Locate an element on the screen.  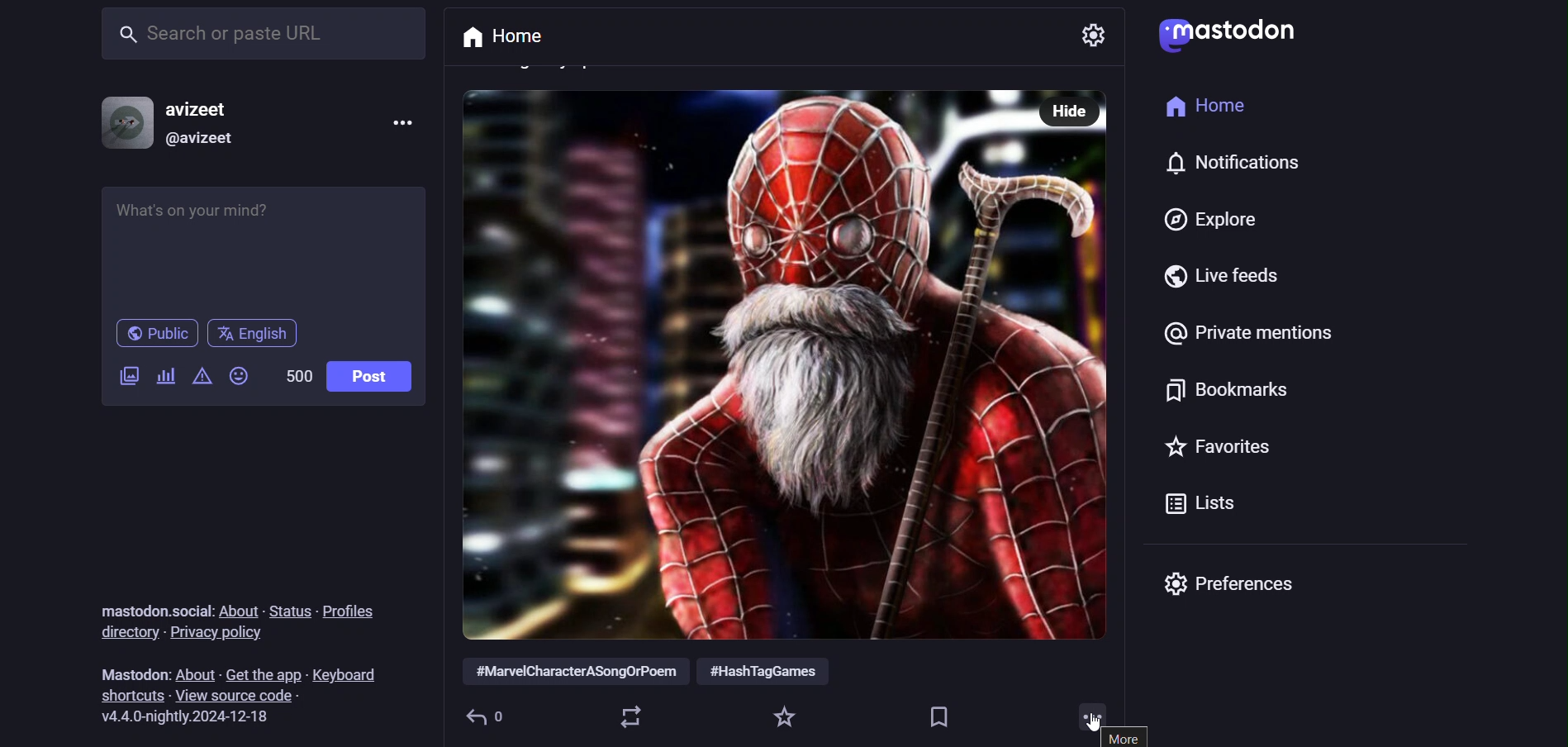
leyboard is located at coordinates (349, 668).